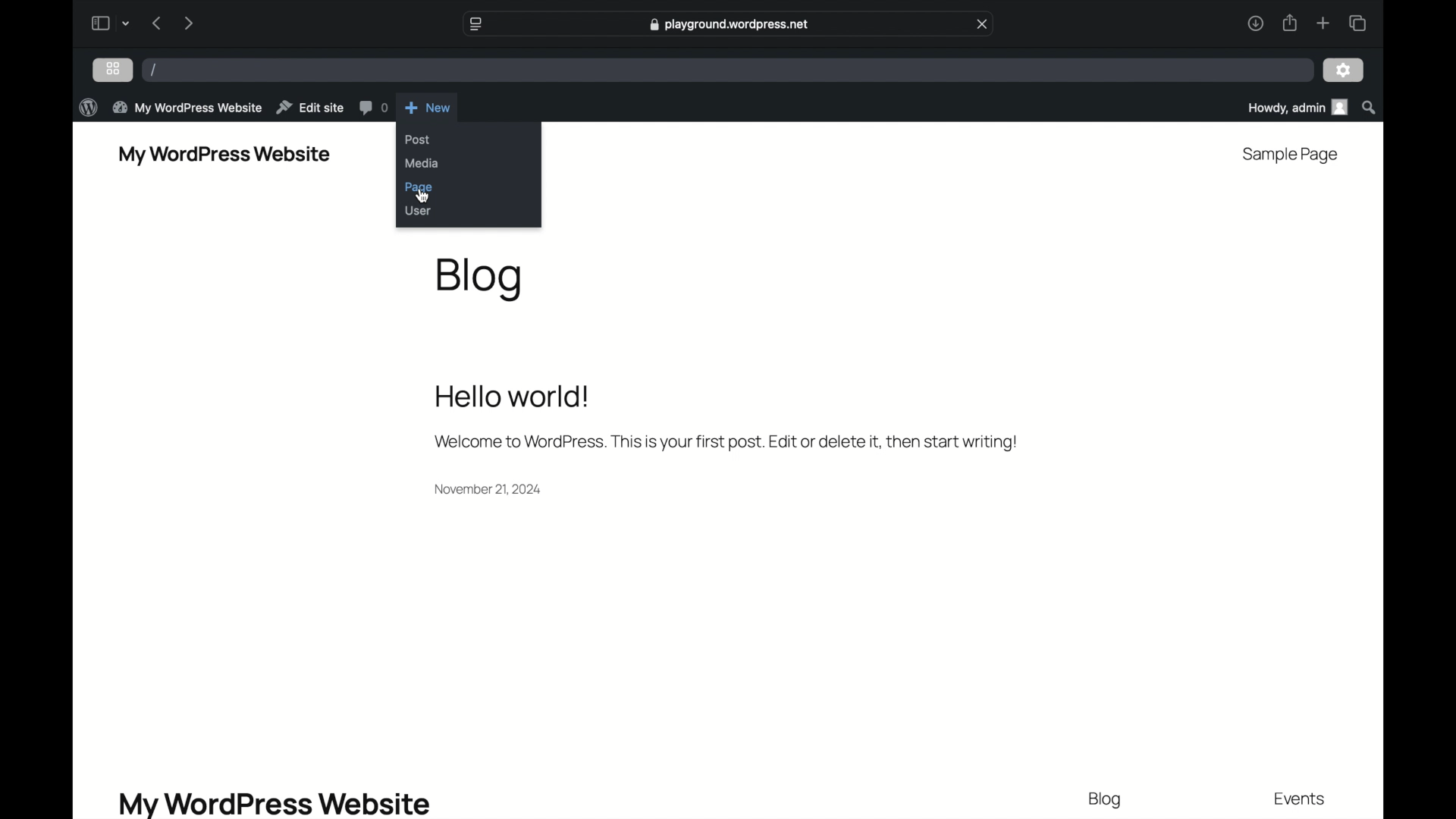 The image size is (1456, 819). What do you see at coordinates (475, 24) in the screenshot?
I see `website settings` at bounding box center [475, 24].